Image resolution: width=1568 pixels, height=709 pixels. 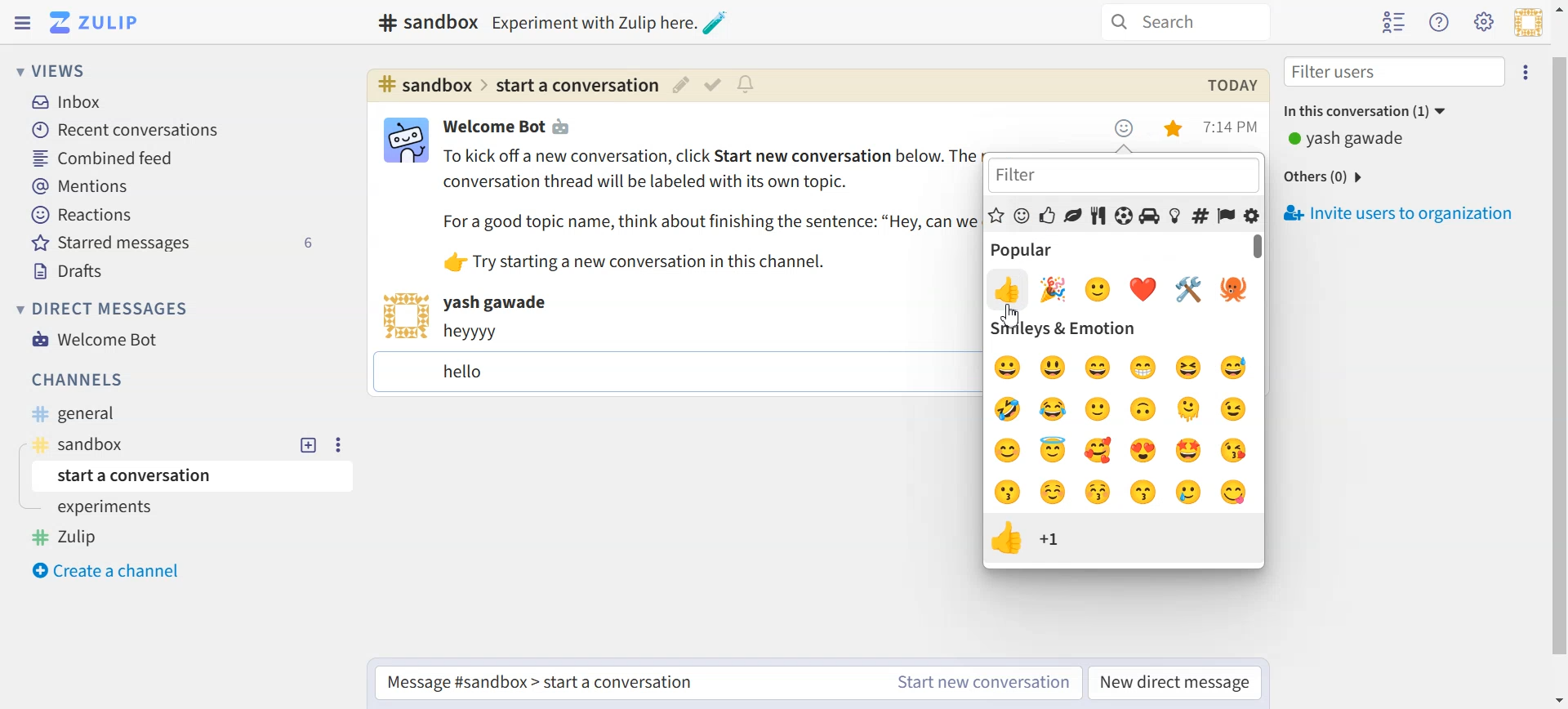 What do you see at coordinates (94, 444) in the screenshot?
I see `Sandbox tag` at bounding box center [94, 444].